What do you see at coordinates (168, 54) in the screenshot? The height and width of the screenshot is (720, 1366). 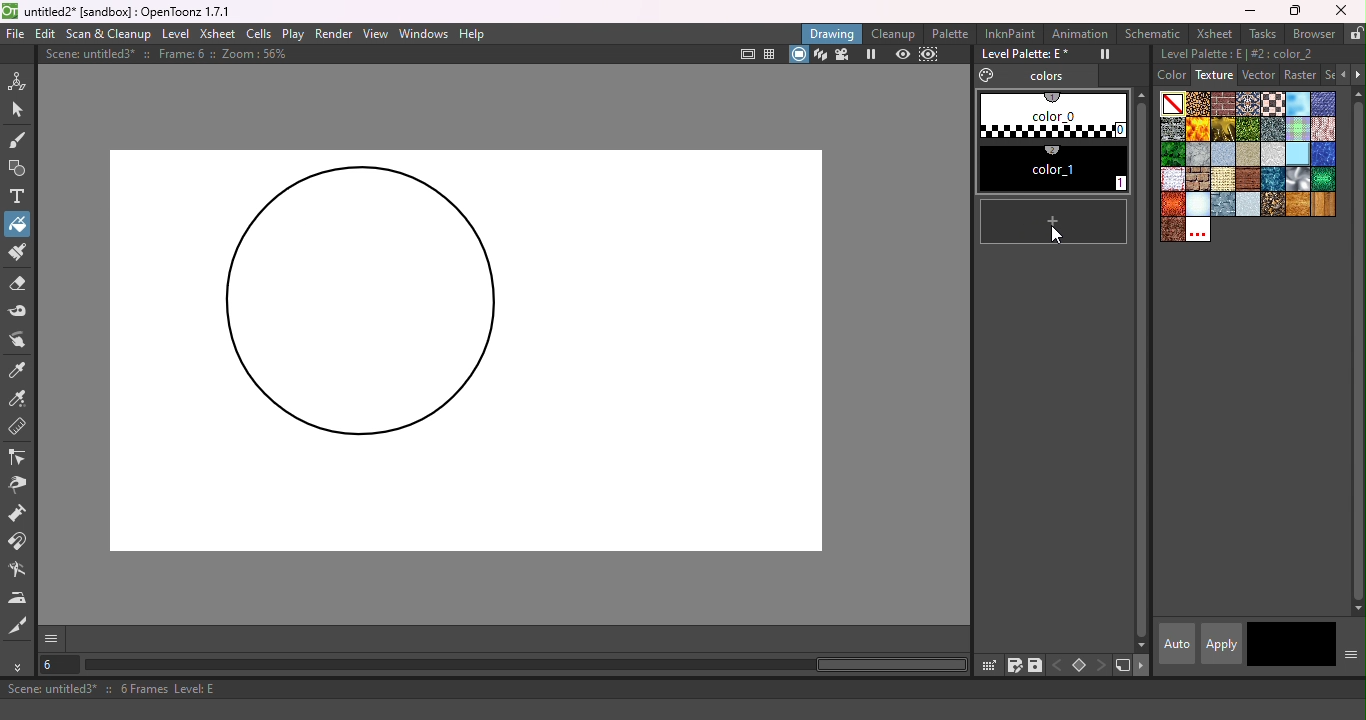 I see `Scene: untitled3* :: Frame: 6 :: Zoom: 56%` at bounding box center [168, 54].